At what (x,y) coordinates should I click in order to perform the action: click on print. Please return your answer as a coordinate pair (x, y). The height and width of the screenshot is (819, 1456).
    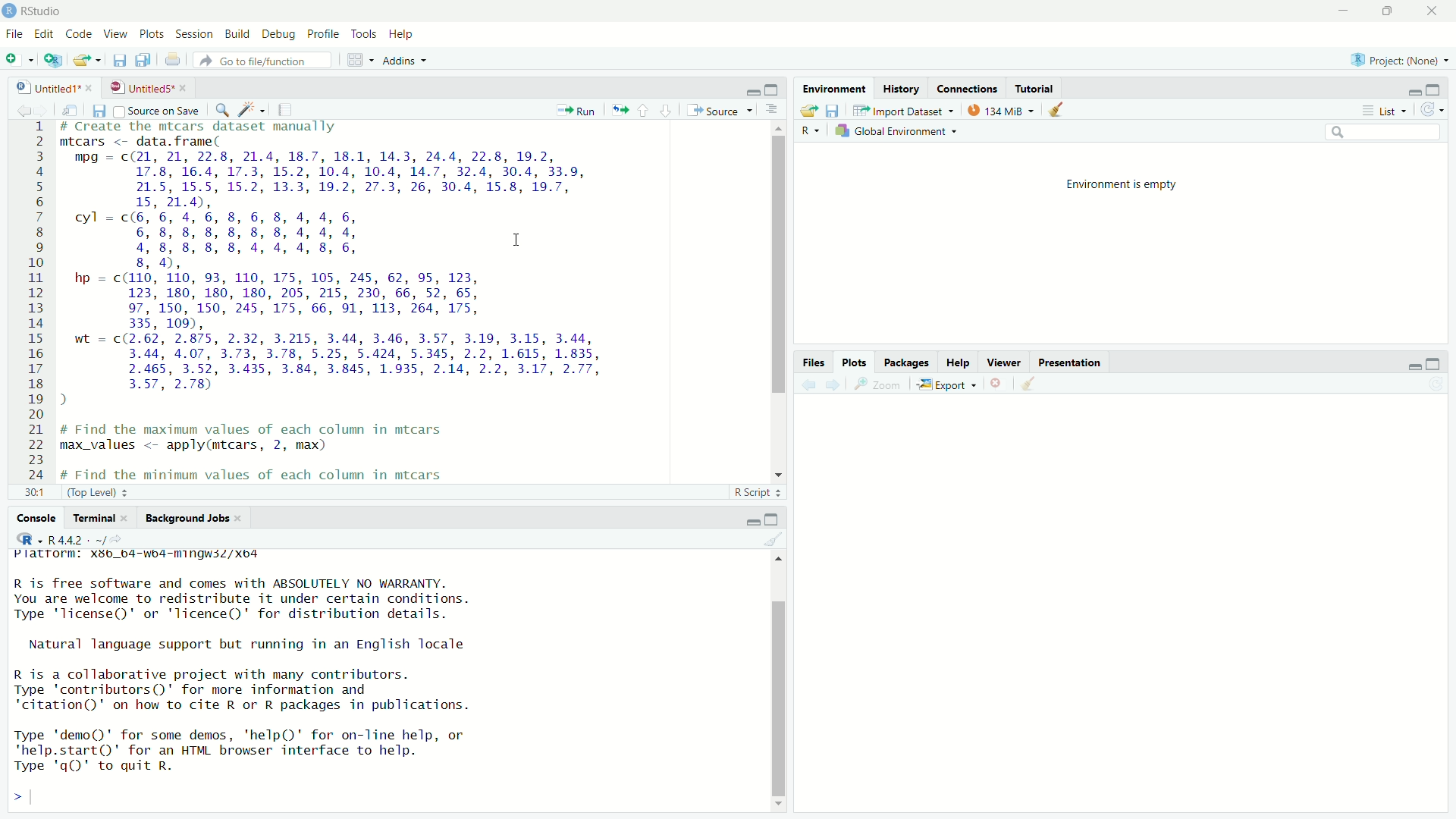
    Looking at the image, I should click on (172, 59).